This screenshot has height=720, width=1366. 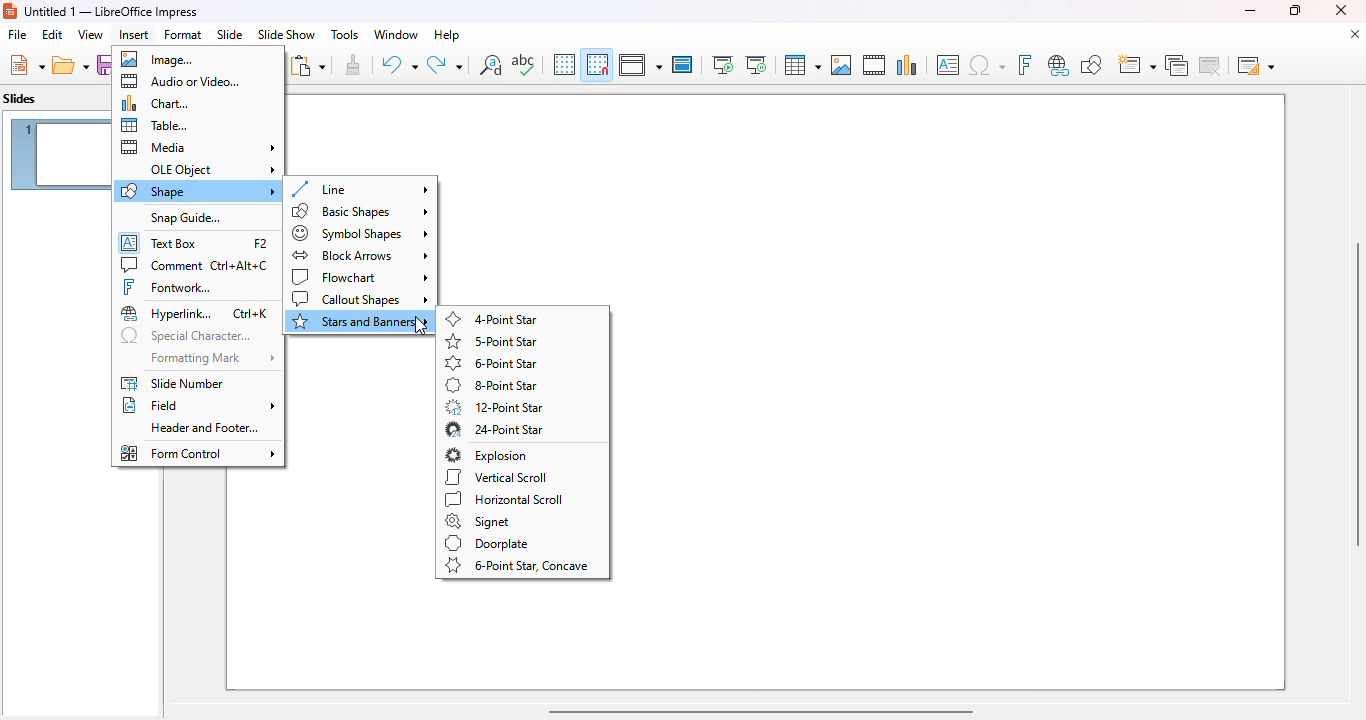 What do you see at coordinates (422, 327) in the screenshot?
I see `cursor` at bounding box center [422, 327].